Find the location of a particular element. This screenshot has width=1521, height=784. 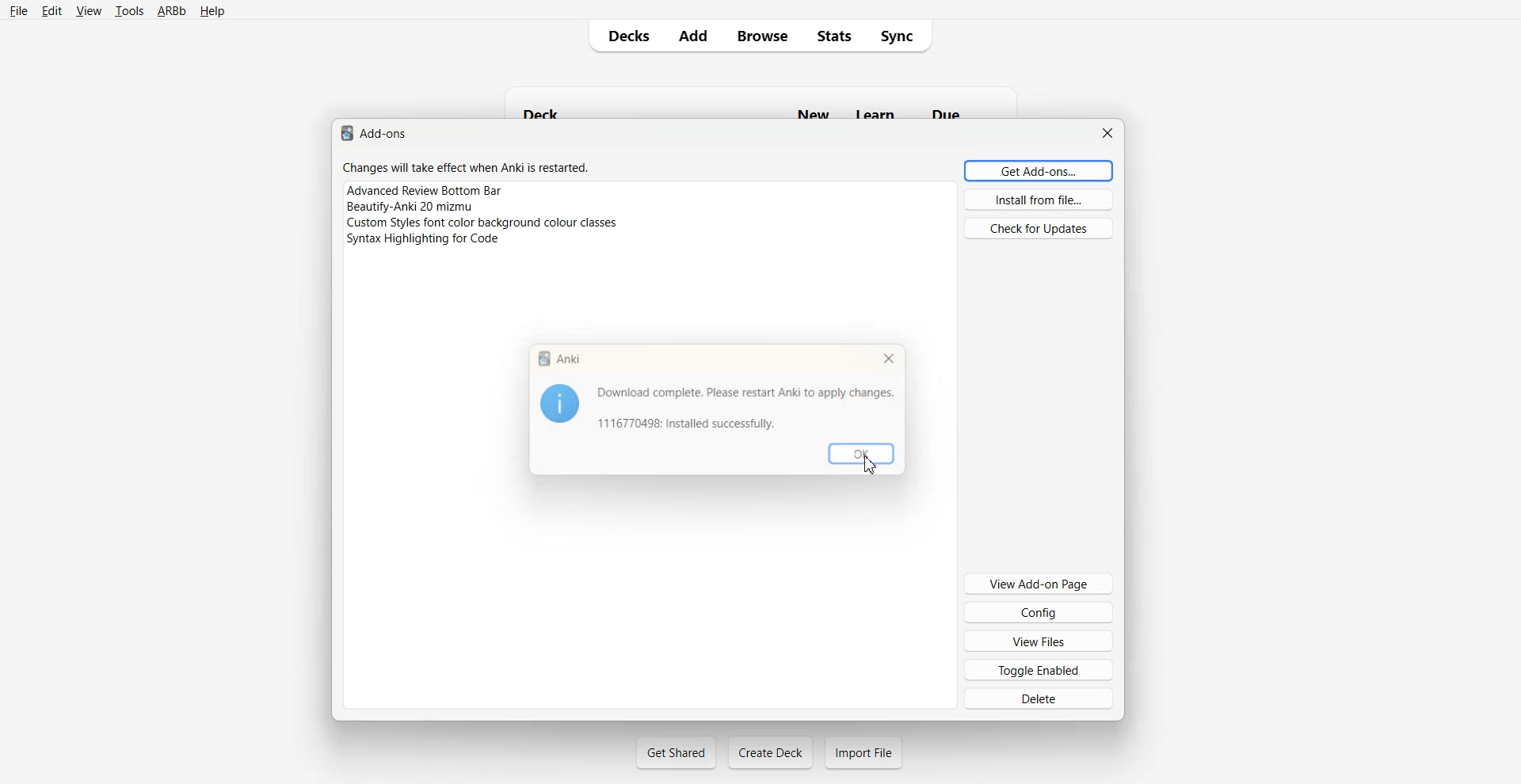

Check for Updates is located at coordinates (1039, 228).